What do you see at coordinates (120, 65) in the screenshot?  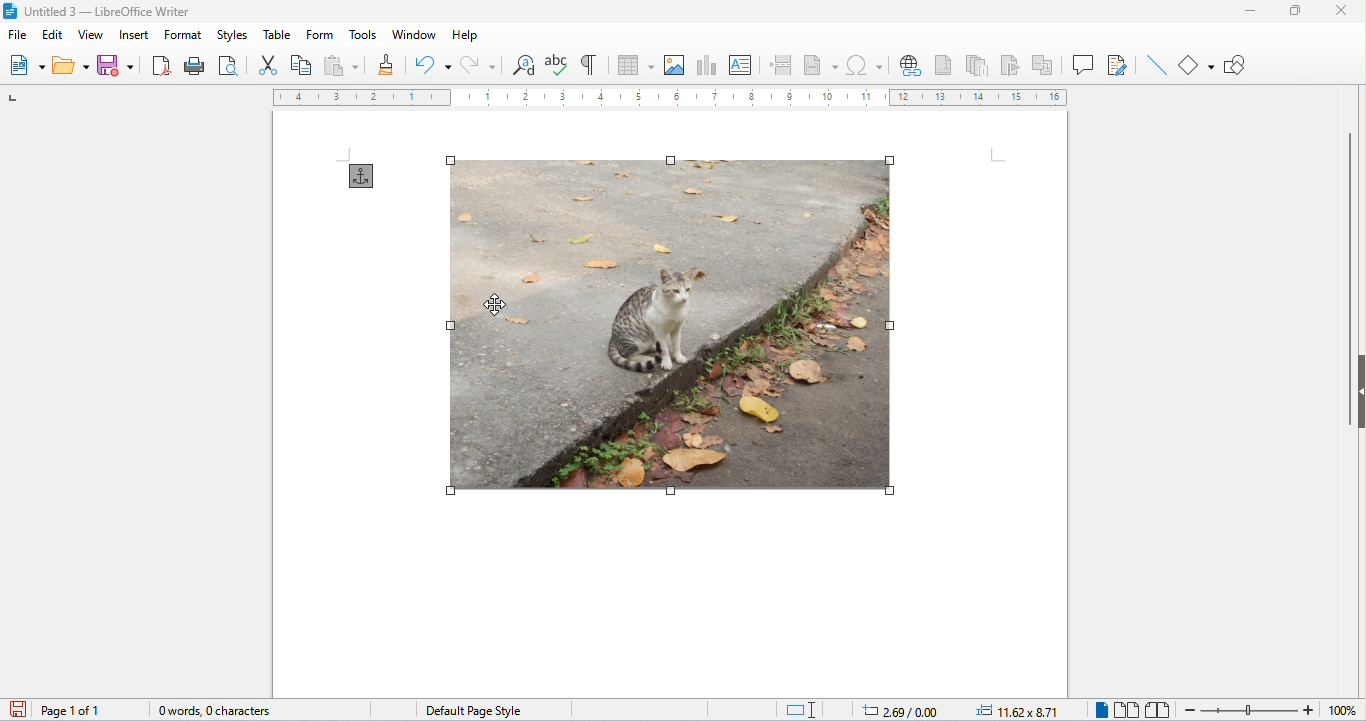 I see `save` at bounding box center [120, 65].